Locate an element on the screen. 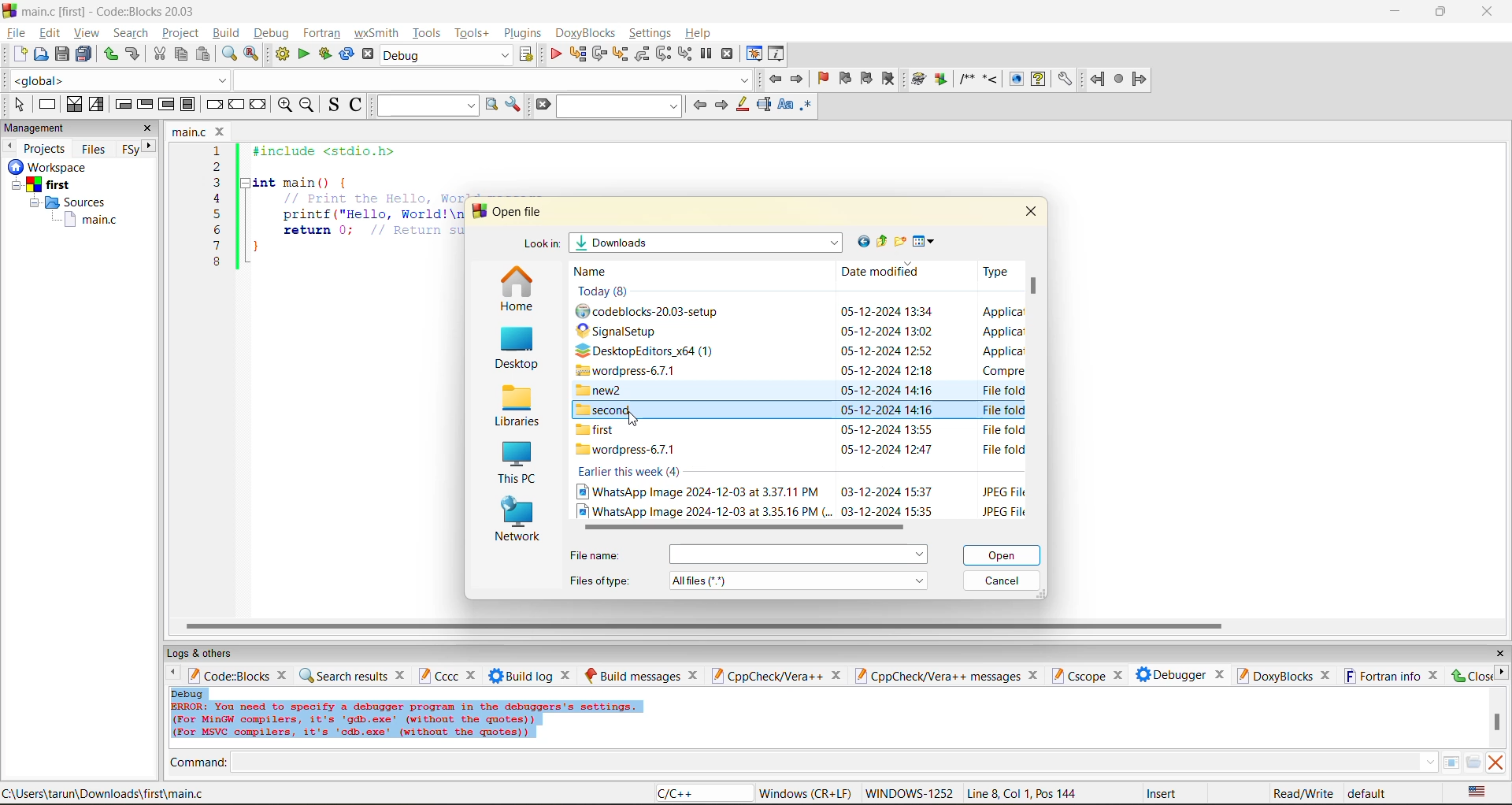  abort is located at coordinates (368, 54).